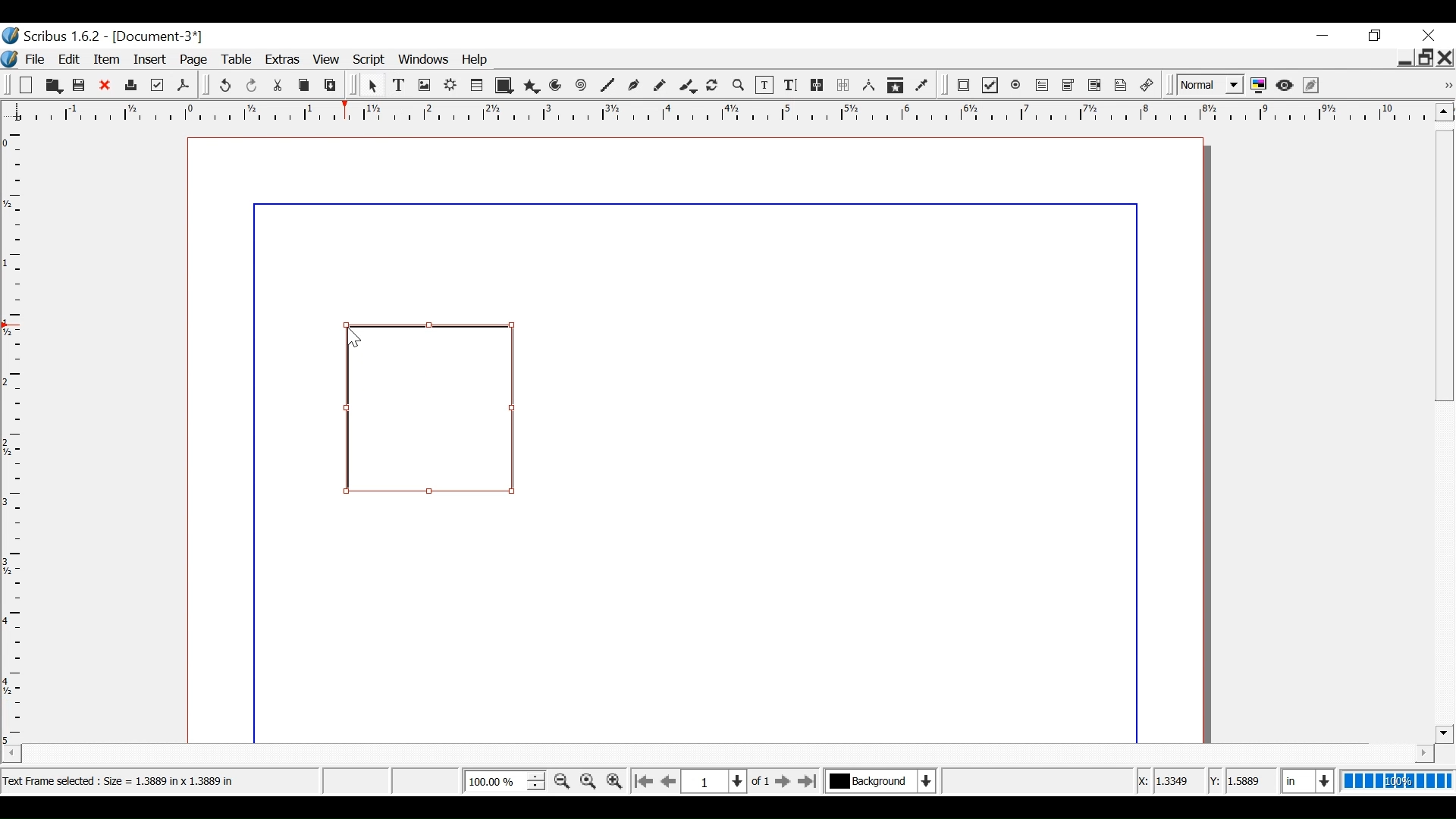 The width and height of the screenshot is (1456, 819). What do you see at coordinates (1322, 35) in the screenshot?
I see `minimize` at bounding box center [1322, 35].